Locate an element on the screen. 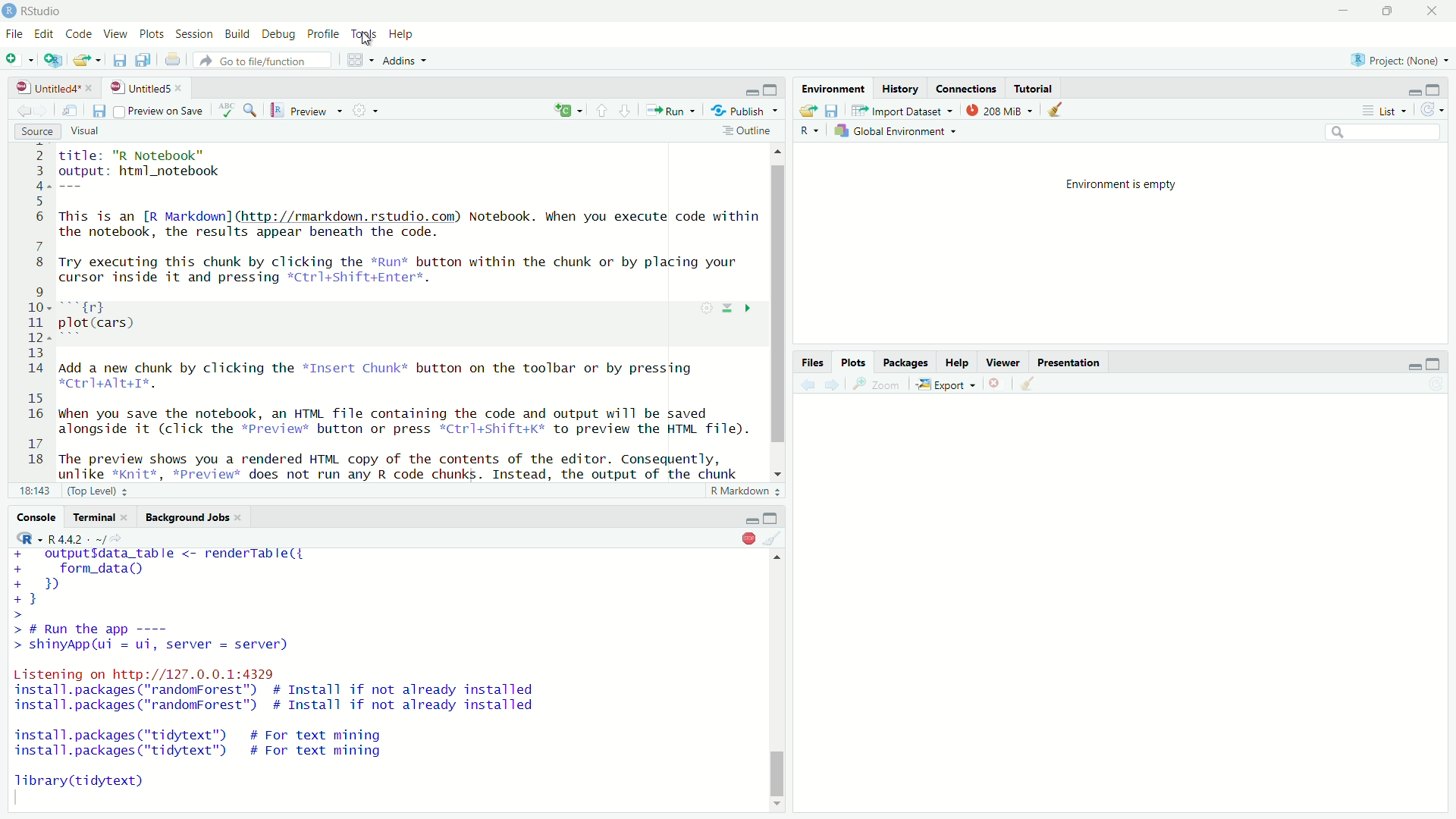 The height and width of the screenshot is (819, 1456). view current working directory is located at coordinates (120, 538).